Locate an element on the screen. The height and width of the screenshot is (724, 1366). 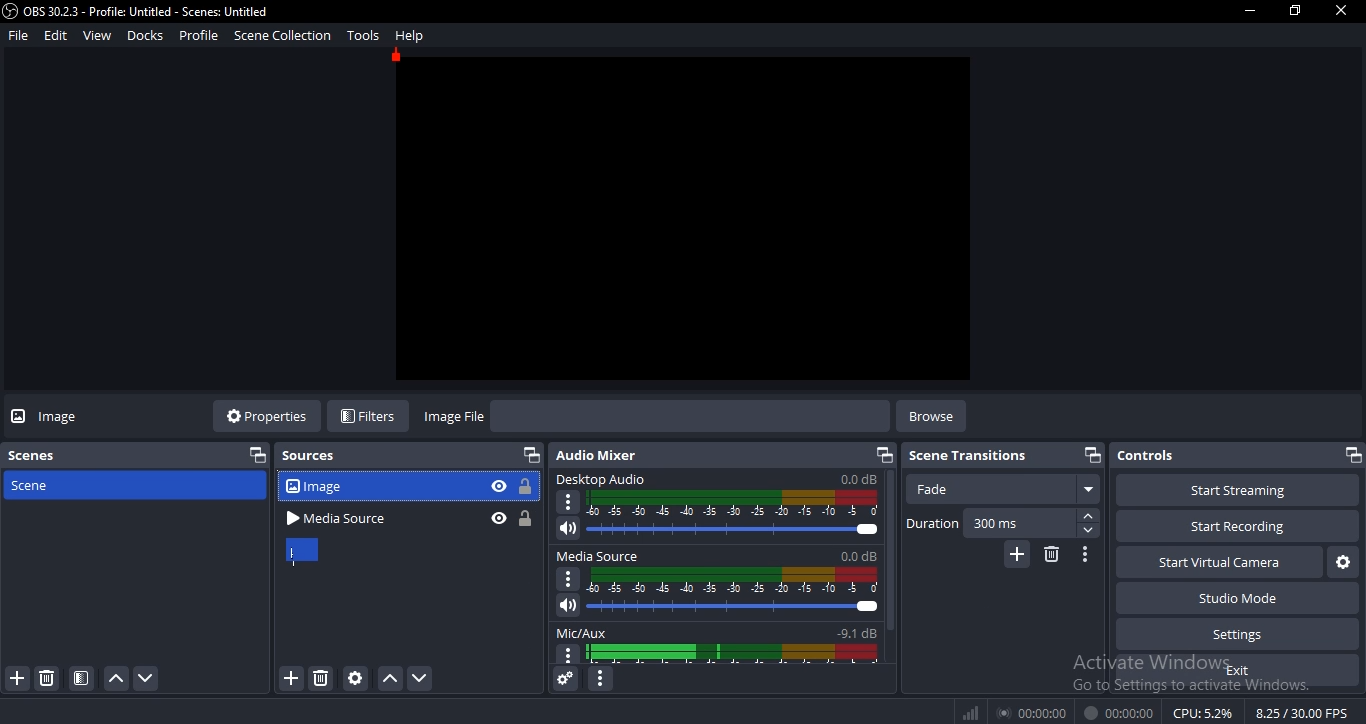
desktop audio is located at coordinates (718, 479).